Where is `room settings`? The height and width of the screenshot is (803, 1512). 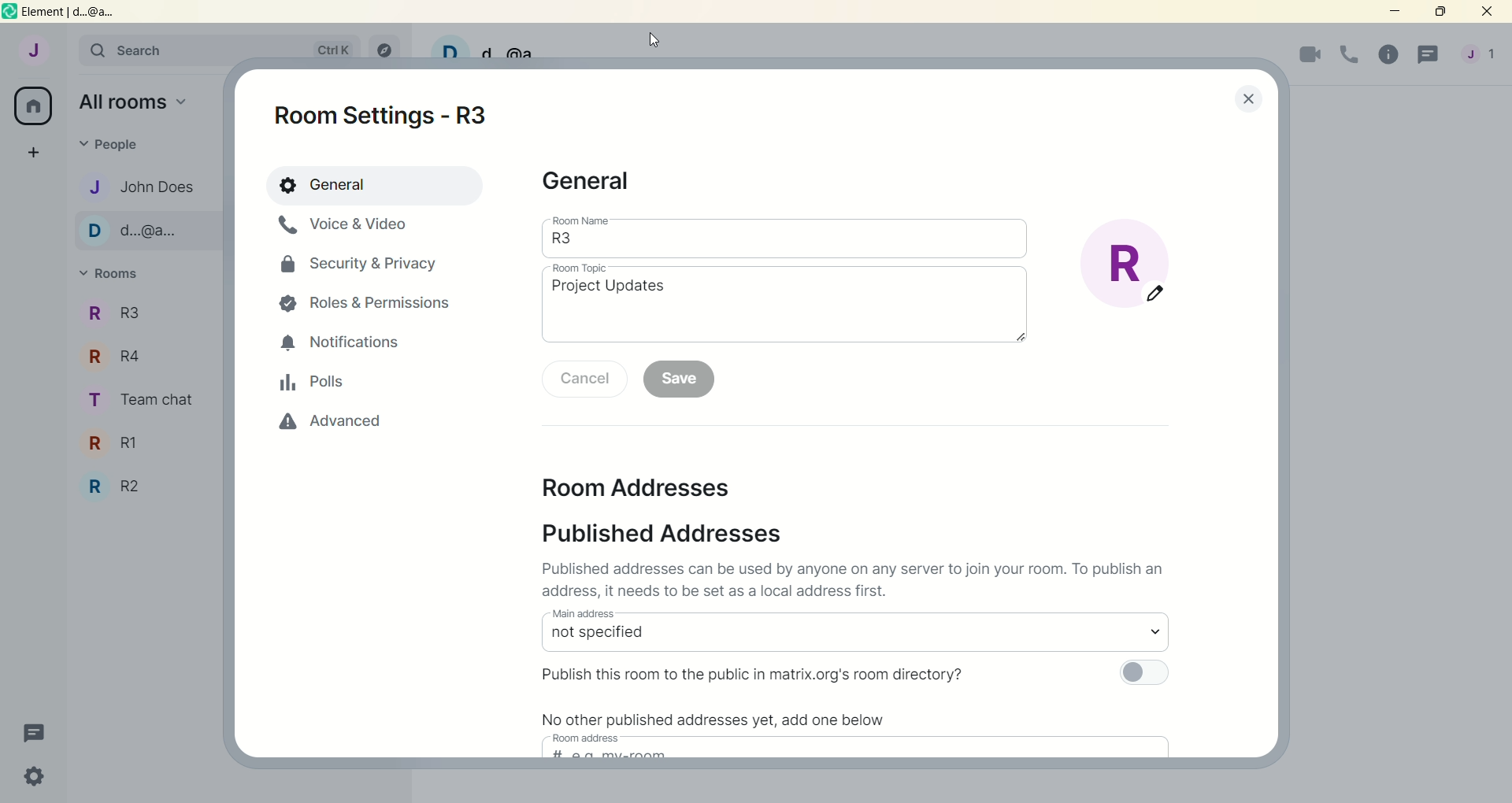 room settings is located at coordinates (394, 116).